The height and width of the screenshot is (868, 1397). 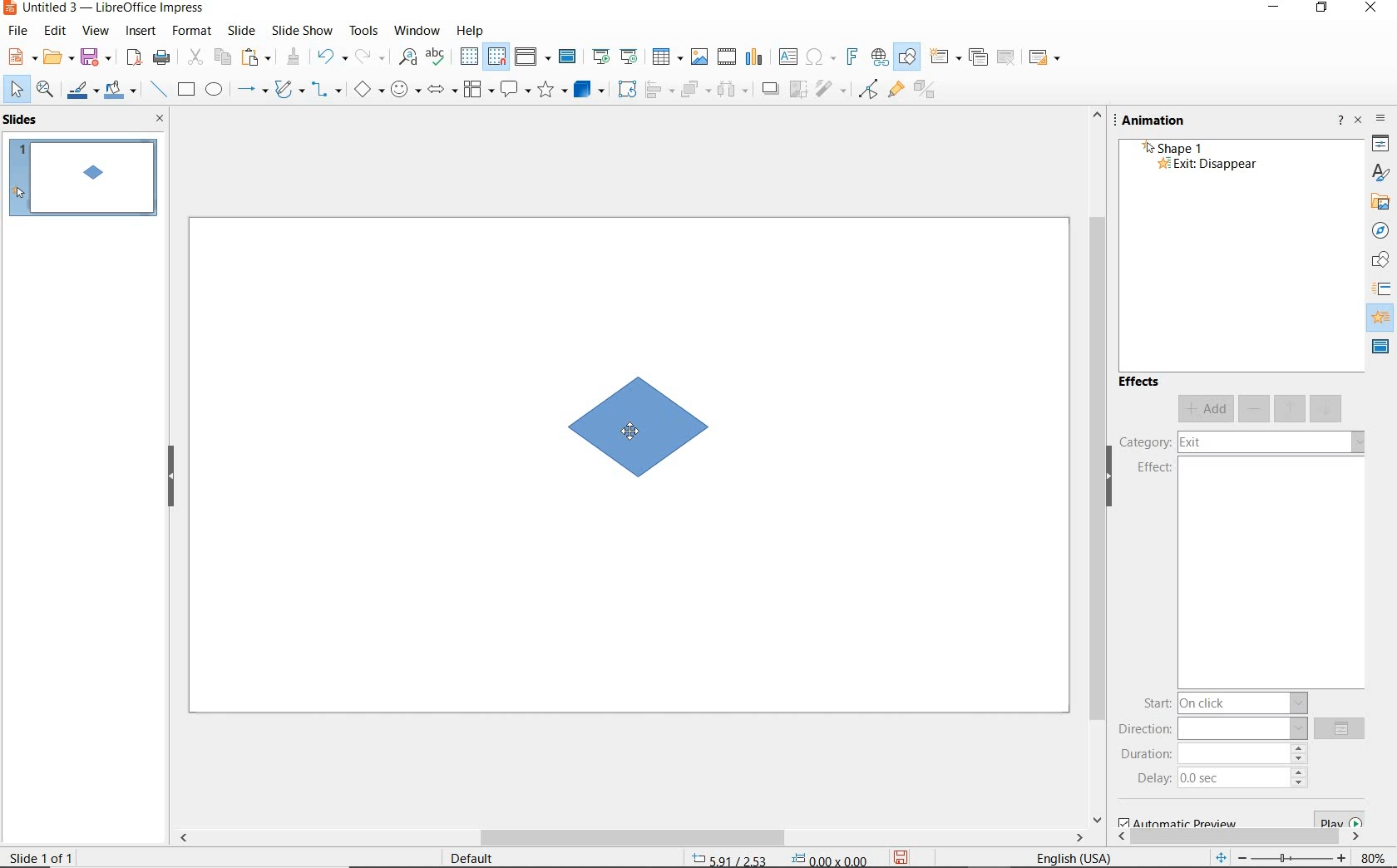 What do you see at coordinates (332, 56) in the screenshot?
I see `undo` at bounding box center [332, 56].